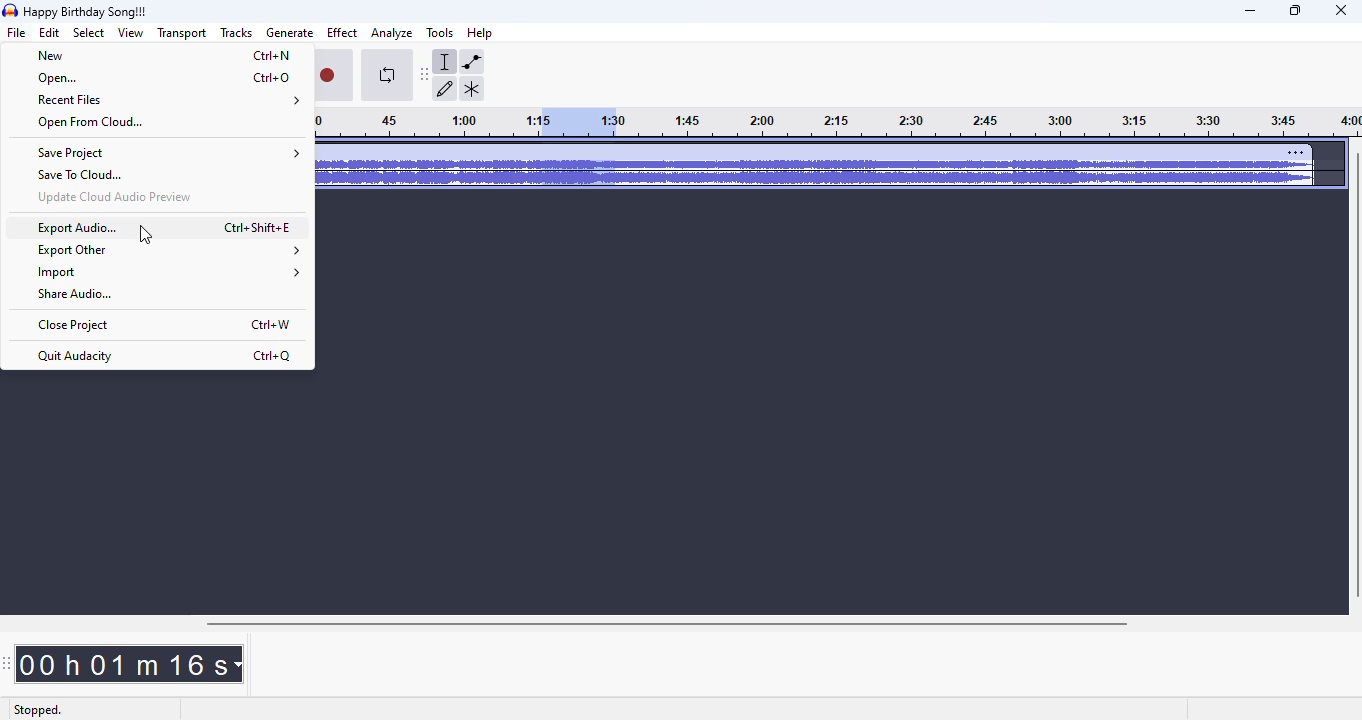 This screenshot has width=1362, height=720. I want to click on draw tool, so click(449, 91).